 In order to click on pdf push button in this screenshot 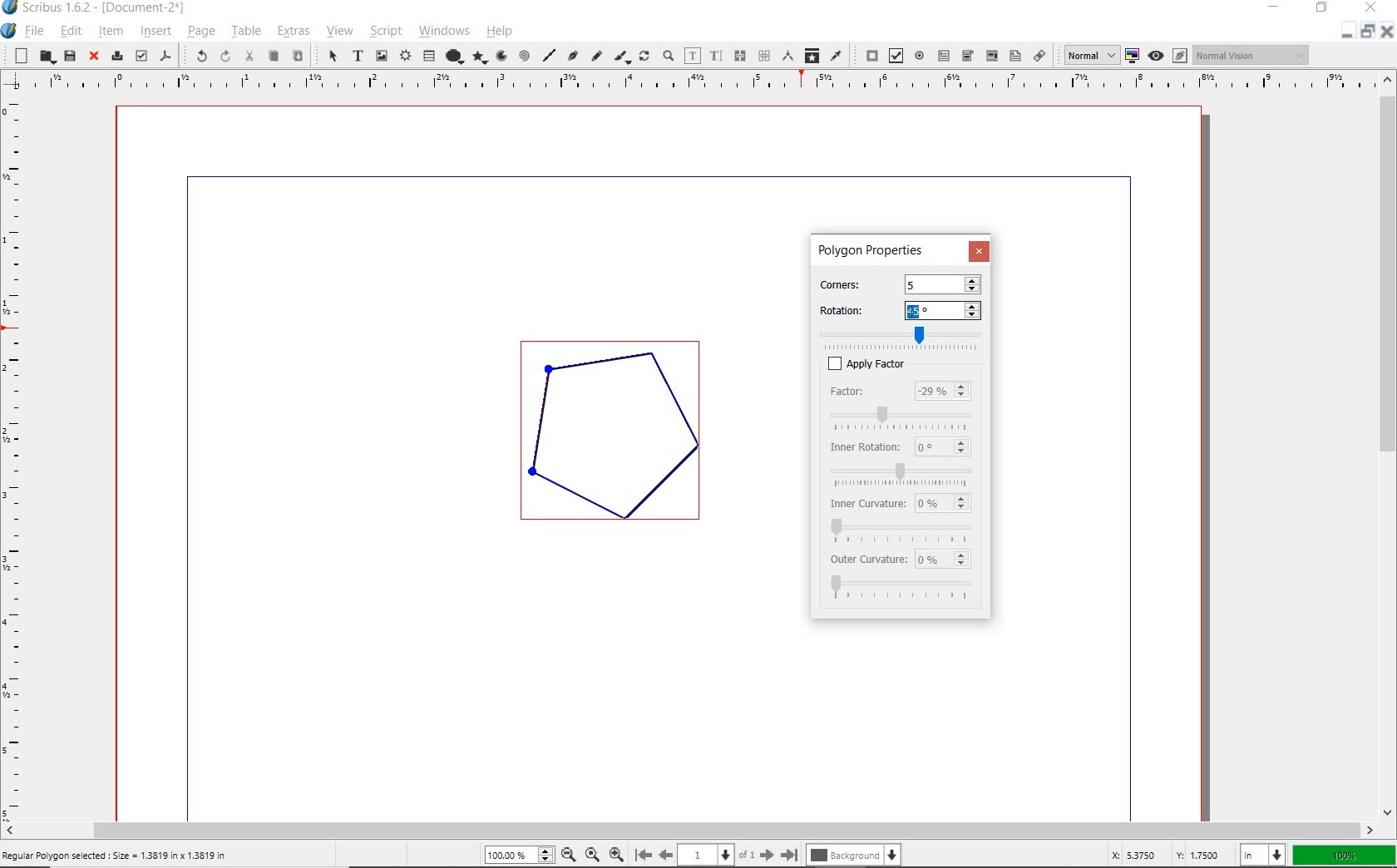, I will do `click(868, 55)`.